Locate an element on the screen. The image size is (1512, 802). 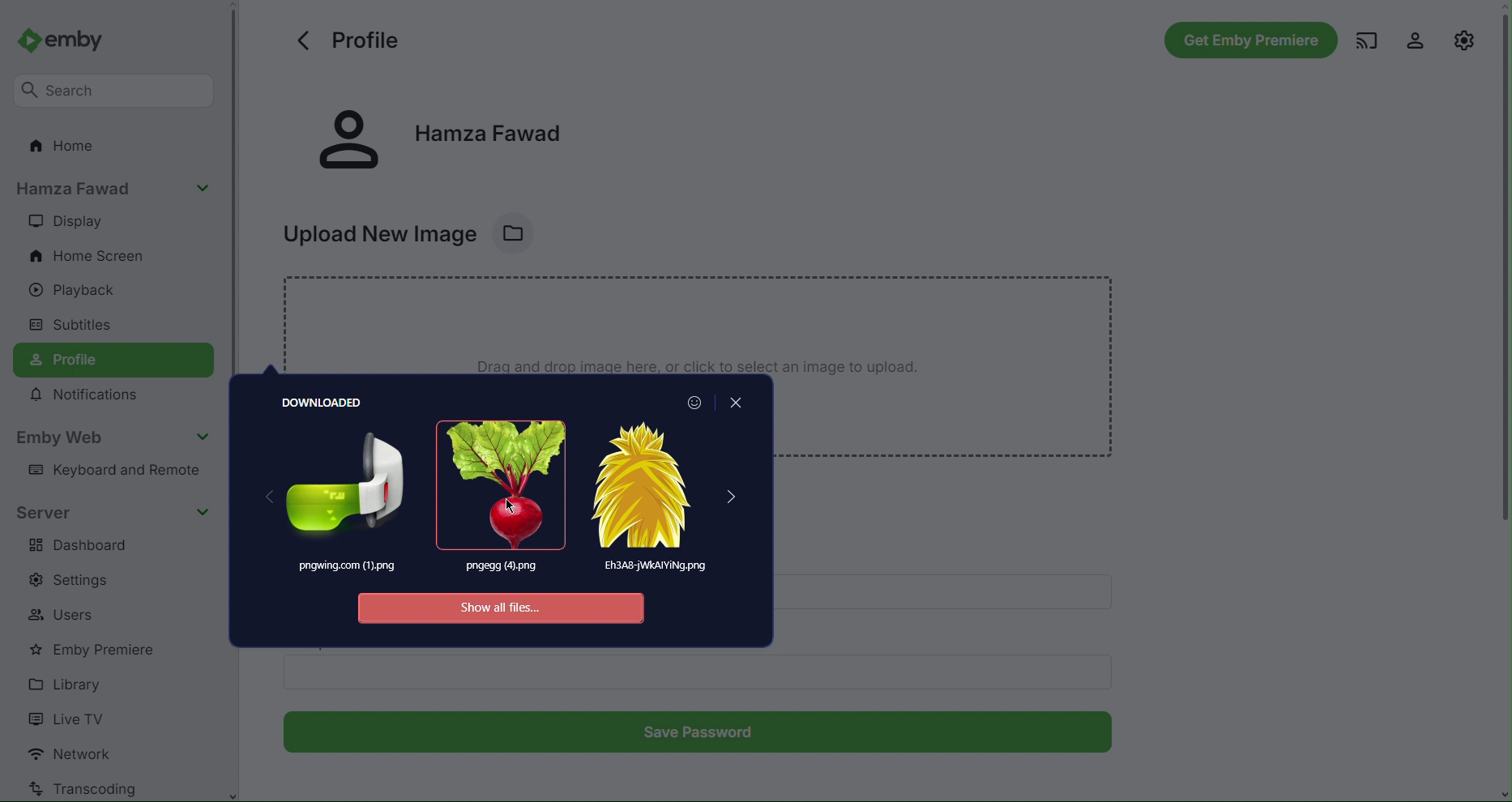
Home is located at coordinates (66, 150).